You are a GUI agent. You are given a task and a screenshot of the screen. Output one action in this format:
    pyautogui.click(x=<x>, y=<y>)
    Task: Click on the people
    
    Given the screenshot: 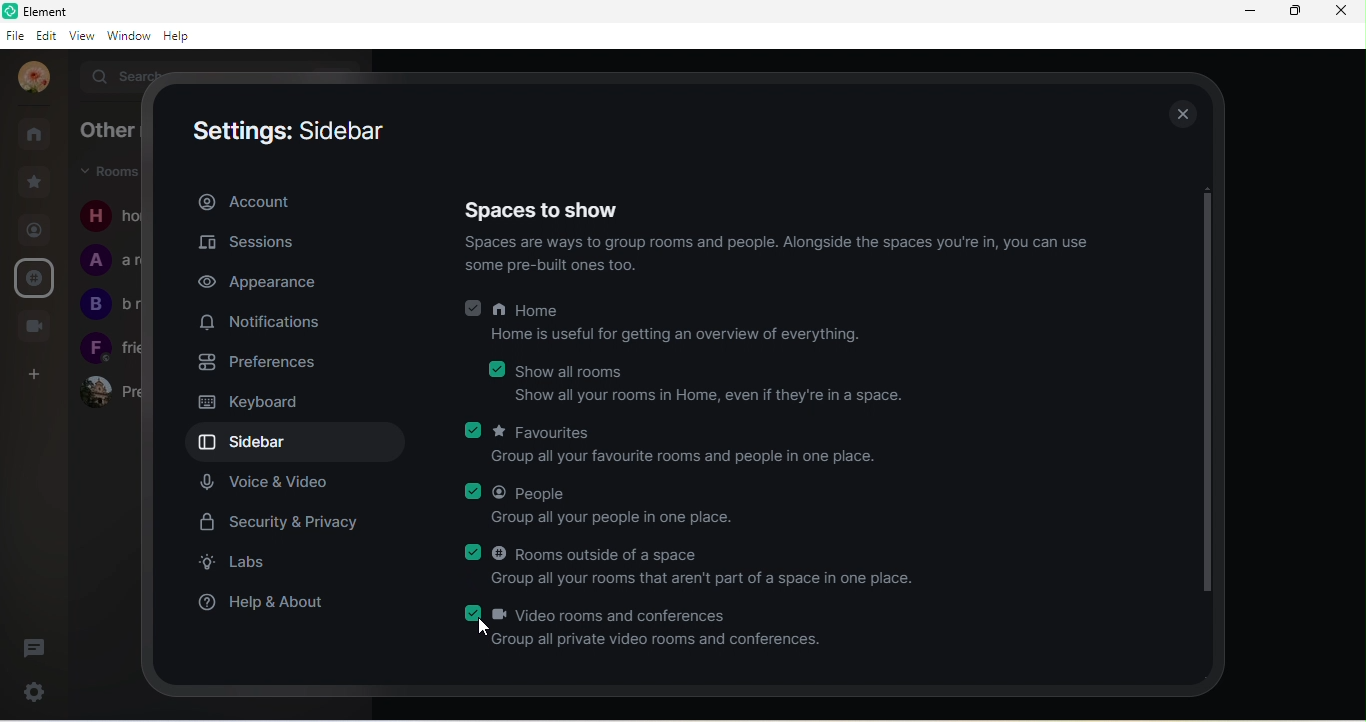 What is the action you would take?
    pyautogui.click(x=34, y=232)
    